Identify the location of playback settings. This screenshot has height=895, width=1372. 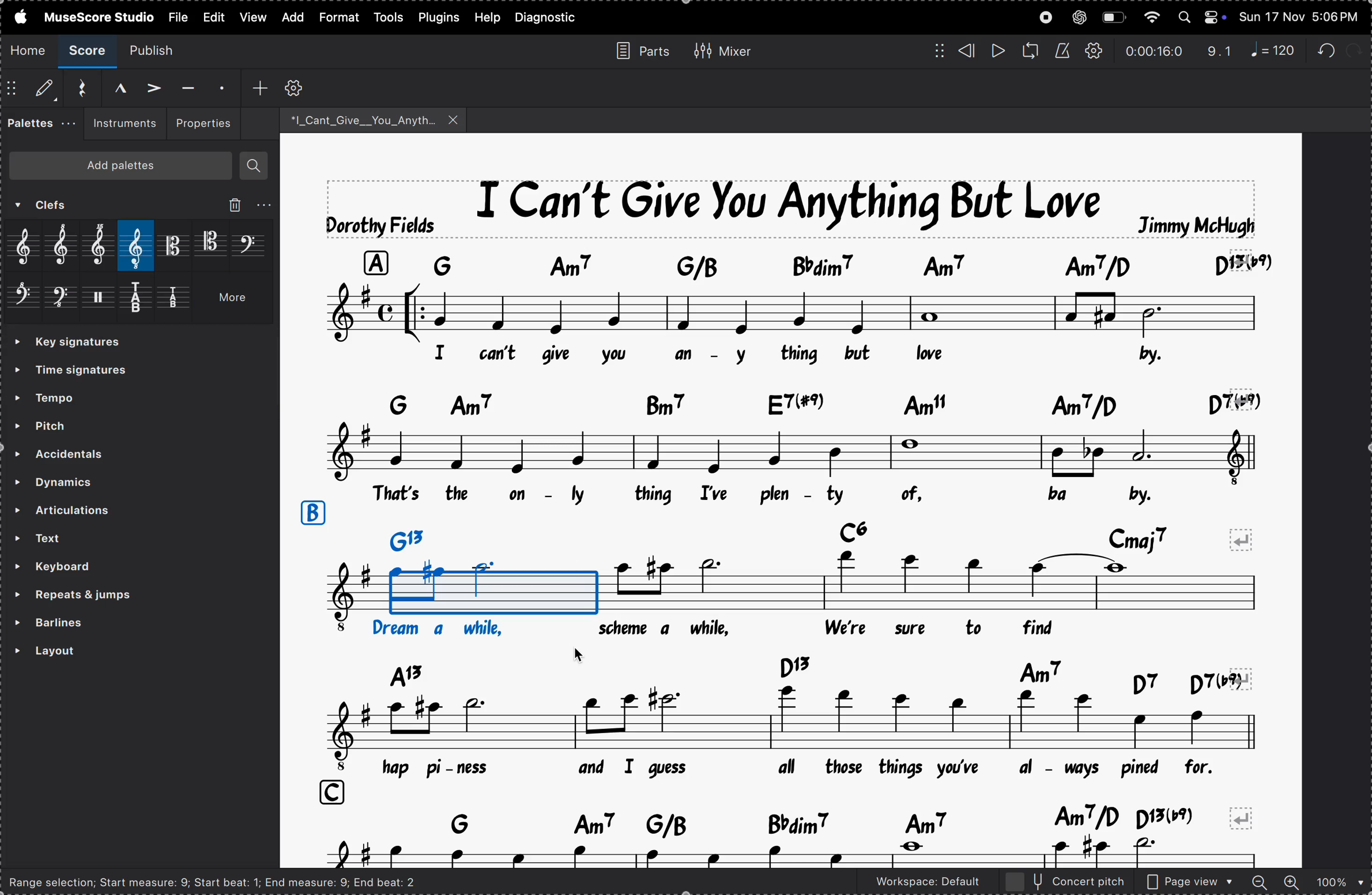
(1095, 51).